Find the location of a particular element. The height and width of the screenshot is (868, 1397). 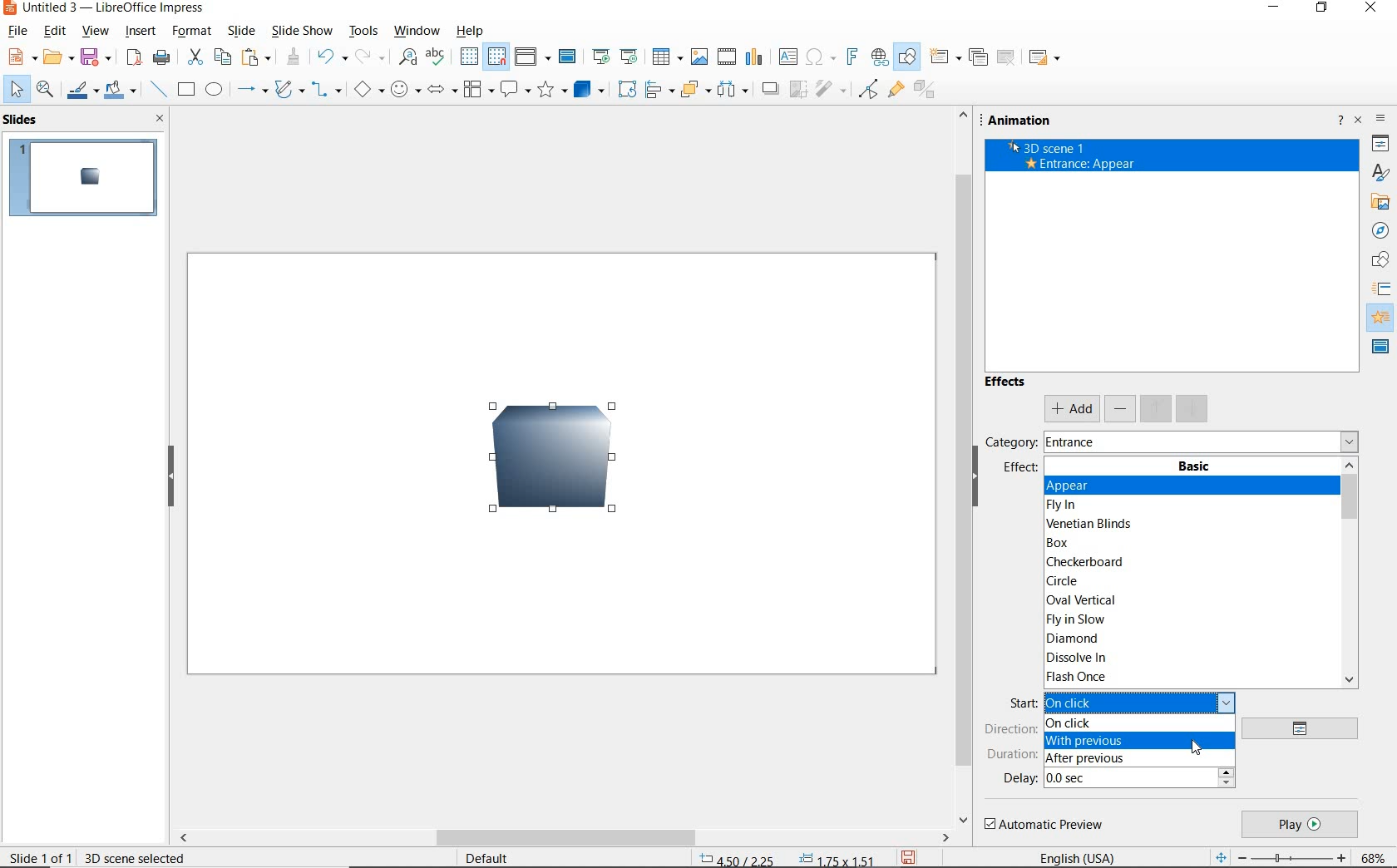

callout shapes is located at coordinates (515, 90).